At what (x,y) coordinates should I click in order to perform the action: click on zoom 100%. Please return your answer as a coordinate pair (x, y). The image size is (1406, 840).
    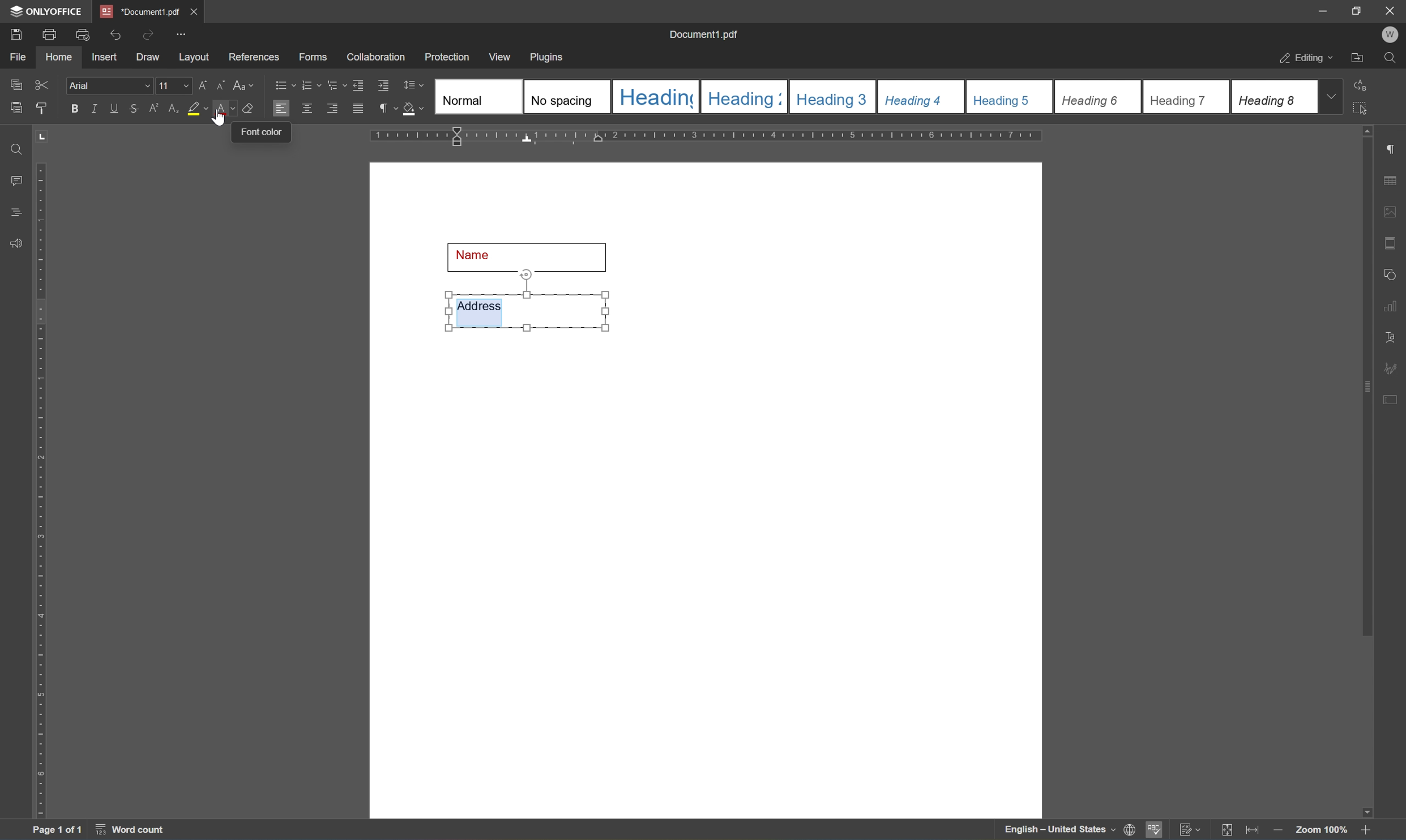
    Looking at the image, I should click on (1321, 829).